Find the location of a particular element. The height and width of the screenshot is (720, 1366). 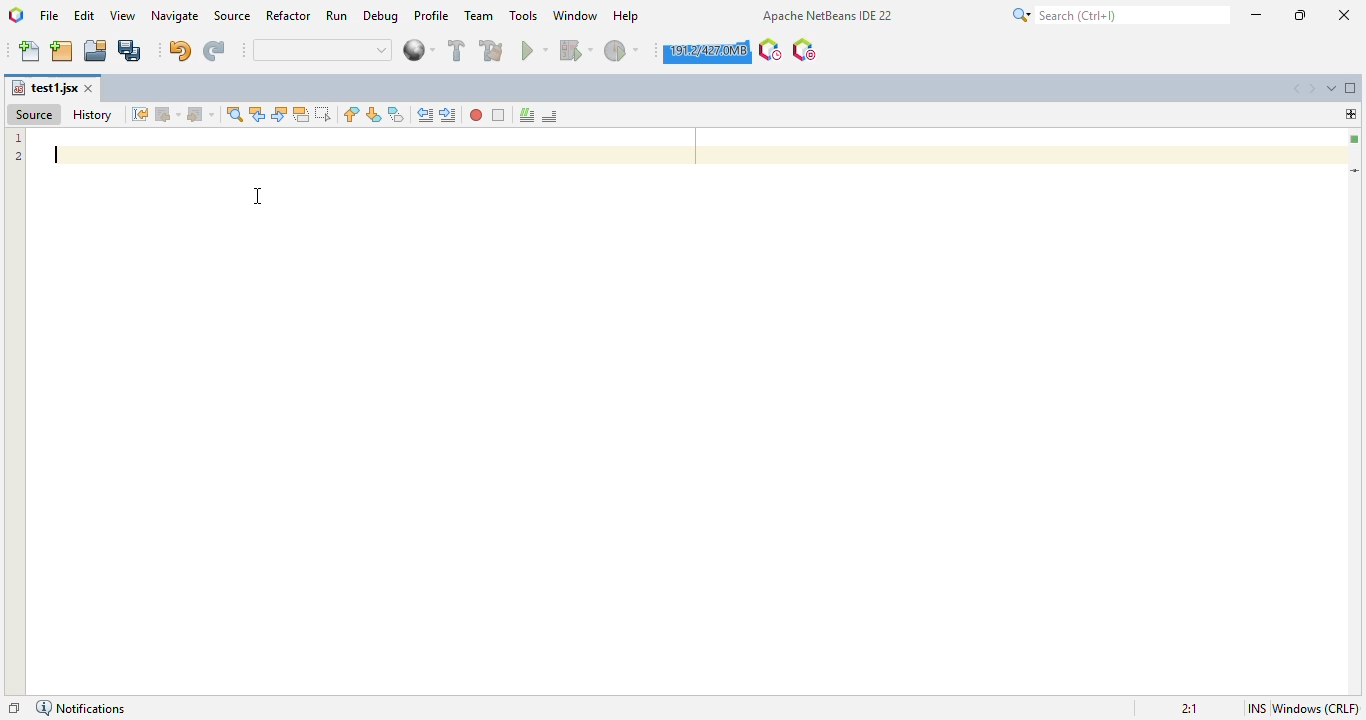

help is located at coordinates (627, 16).